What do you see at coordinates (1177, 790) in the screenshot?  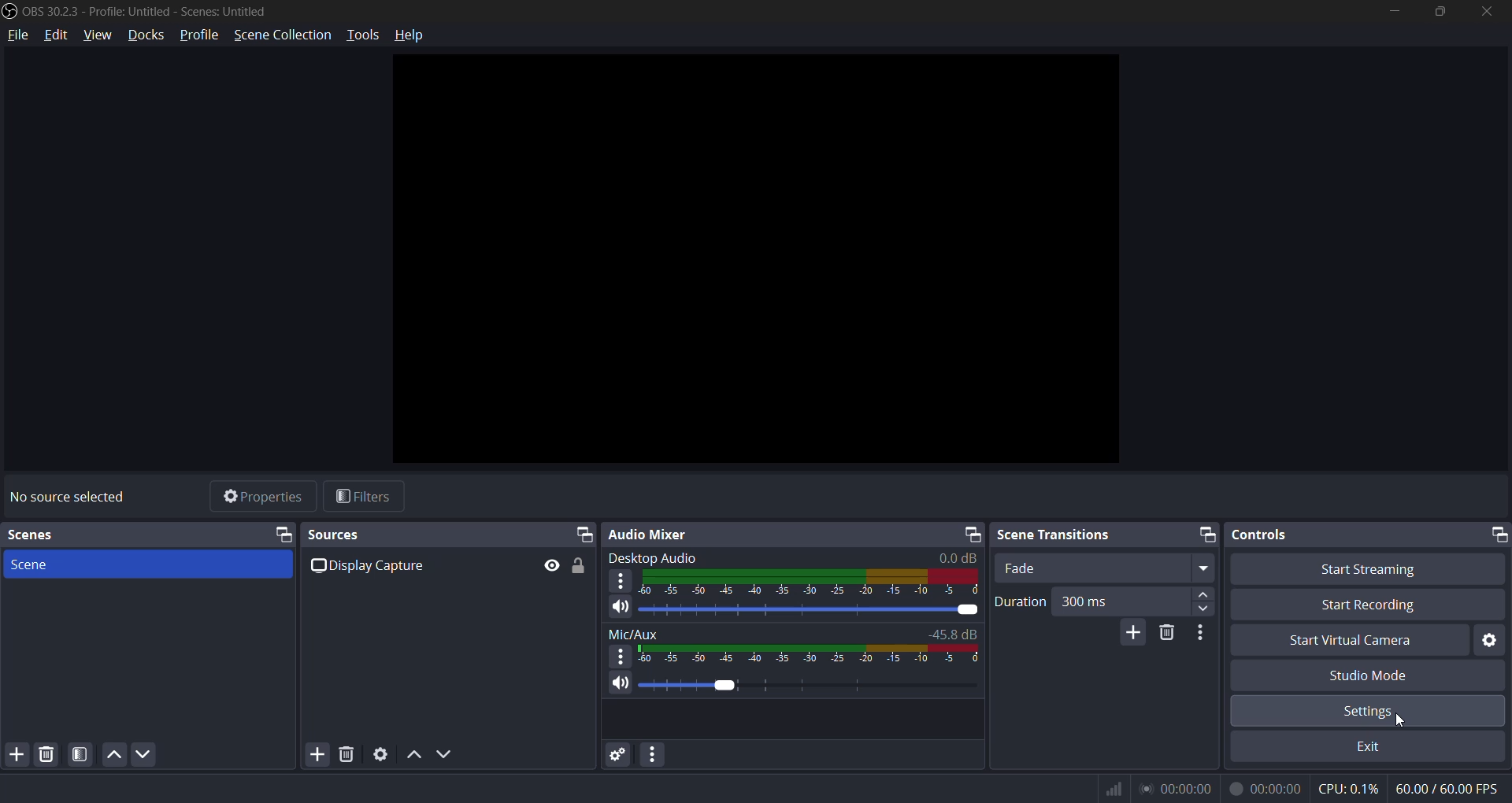 I see `00:00:00` at bounding box center [1177, 790].